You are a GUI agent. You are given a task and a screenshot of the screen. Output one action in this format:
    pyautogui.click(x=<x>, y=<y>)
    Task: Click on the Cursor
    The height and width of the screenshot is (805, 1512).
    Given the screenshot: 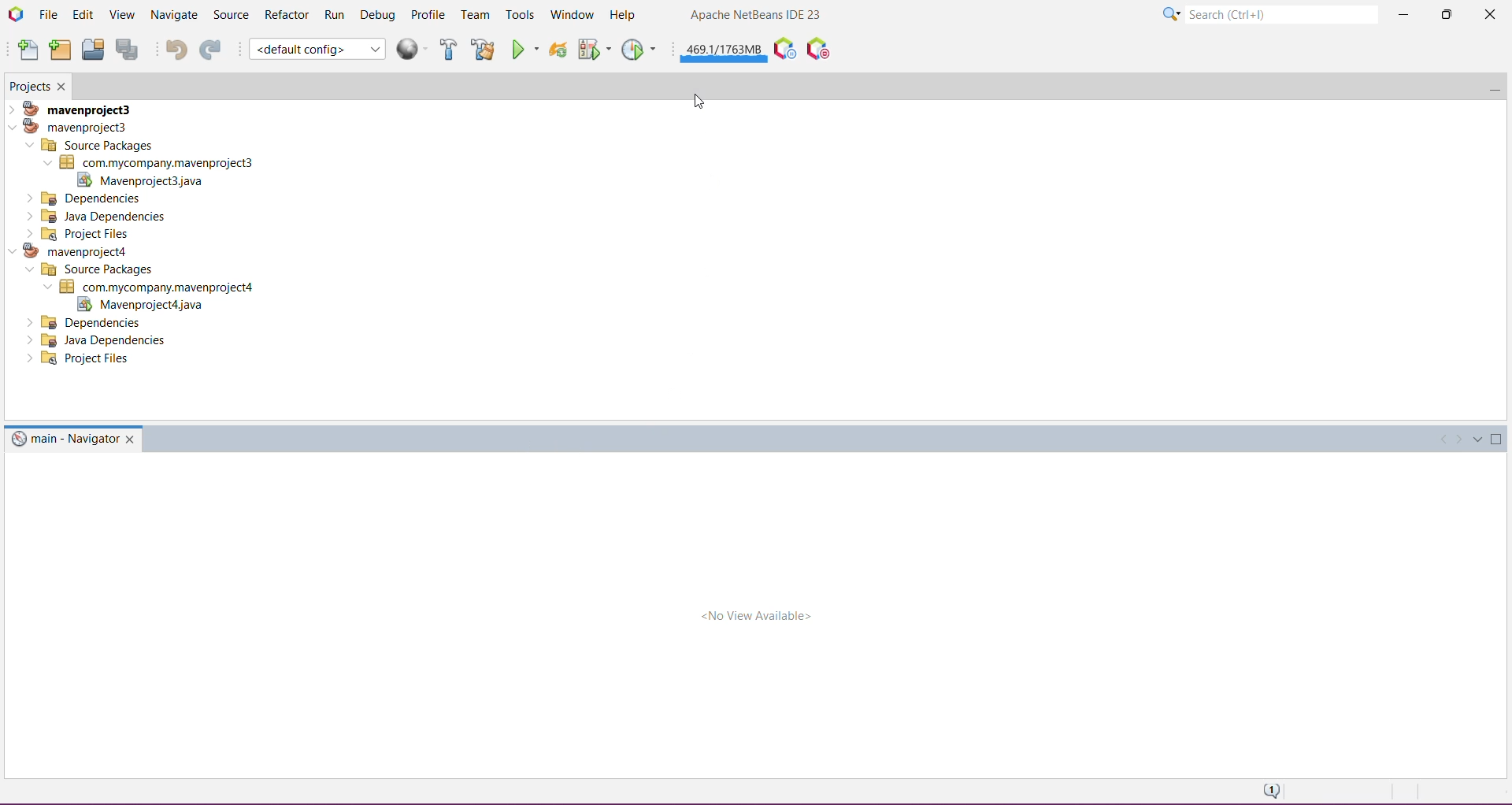 What is the action you would take?
    pyautogui.click(x=695, y=100)
    